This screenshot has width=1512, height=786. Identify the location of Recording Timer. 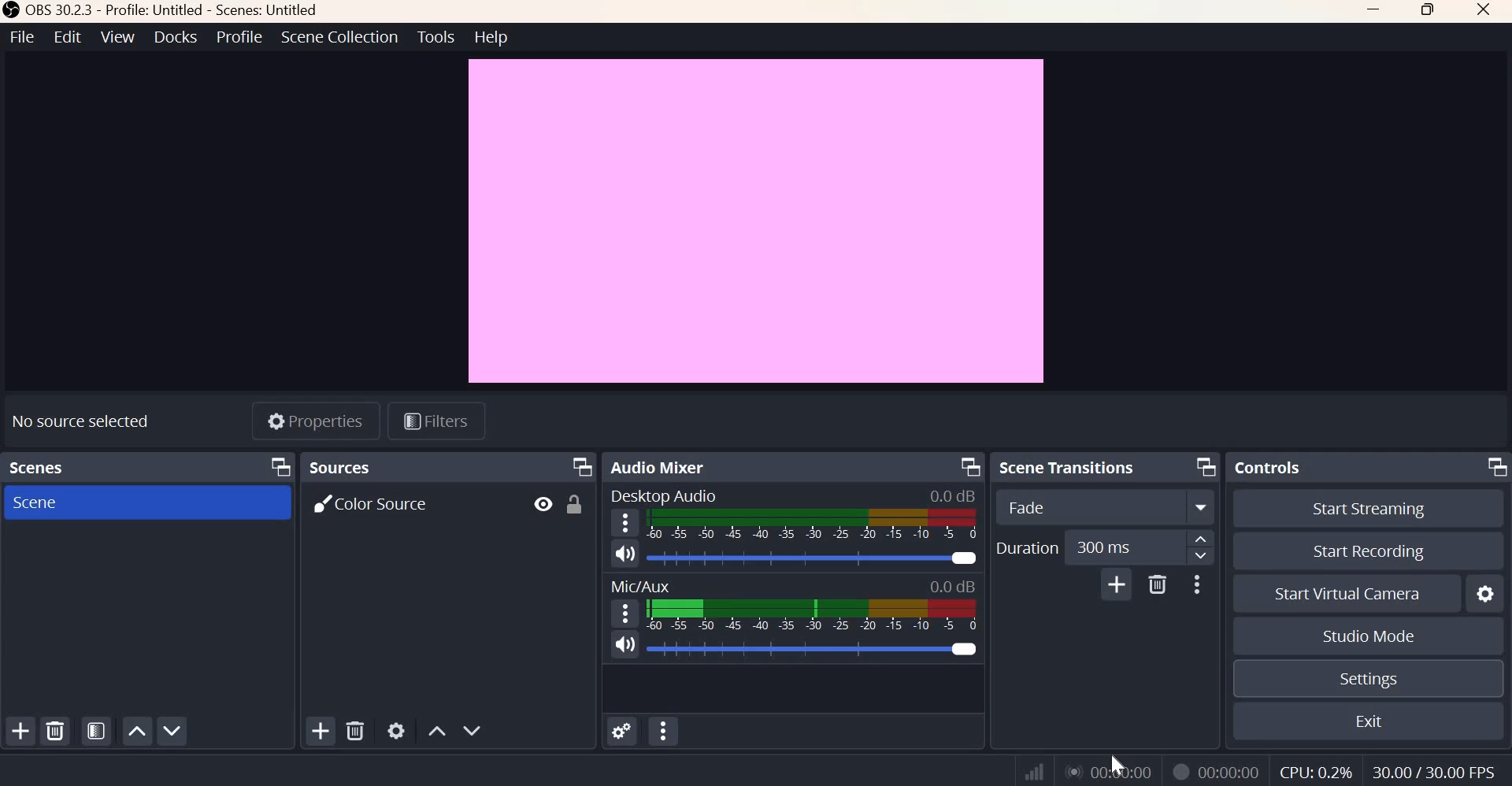
(1228, 769).